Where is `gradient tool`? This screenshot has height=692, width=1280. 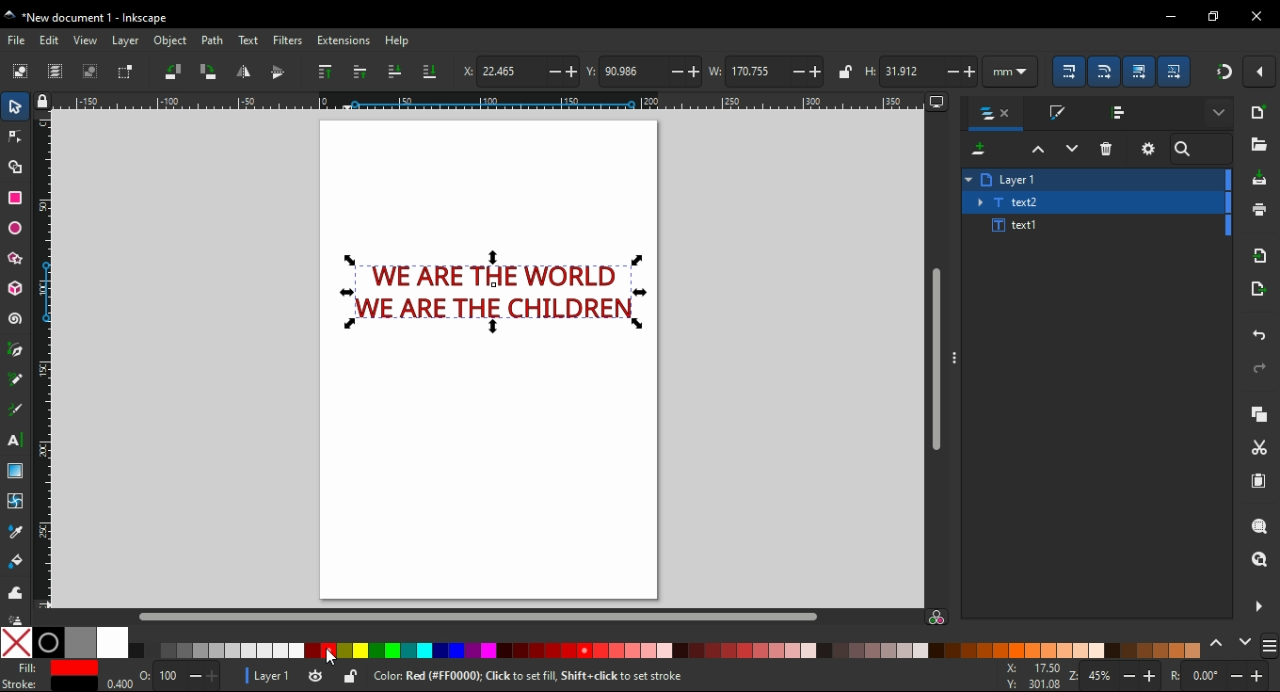 gradient tool is located at coordinates (14, 471).